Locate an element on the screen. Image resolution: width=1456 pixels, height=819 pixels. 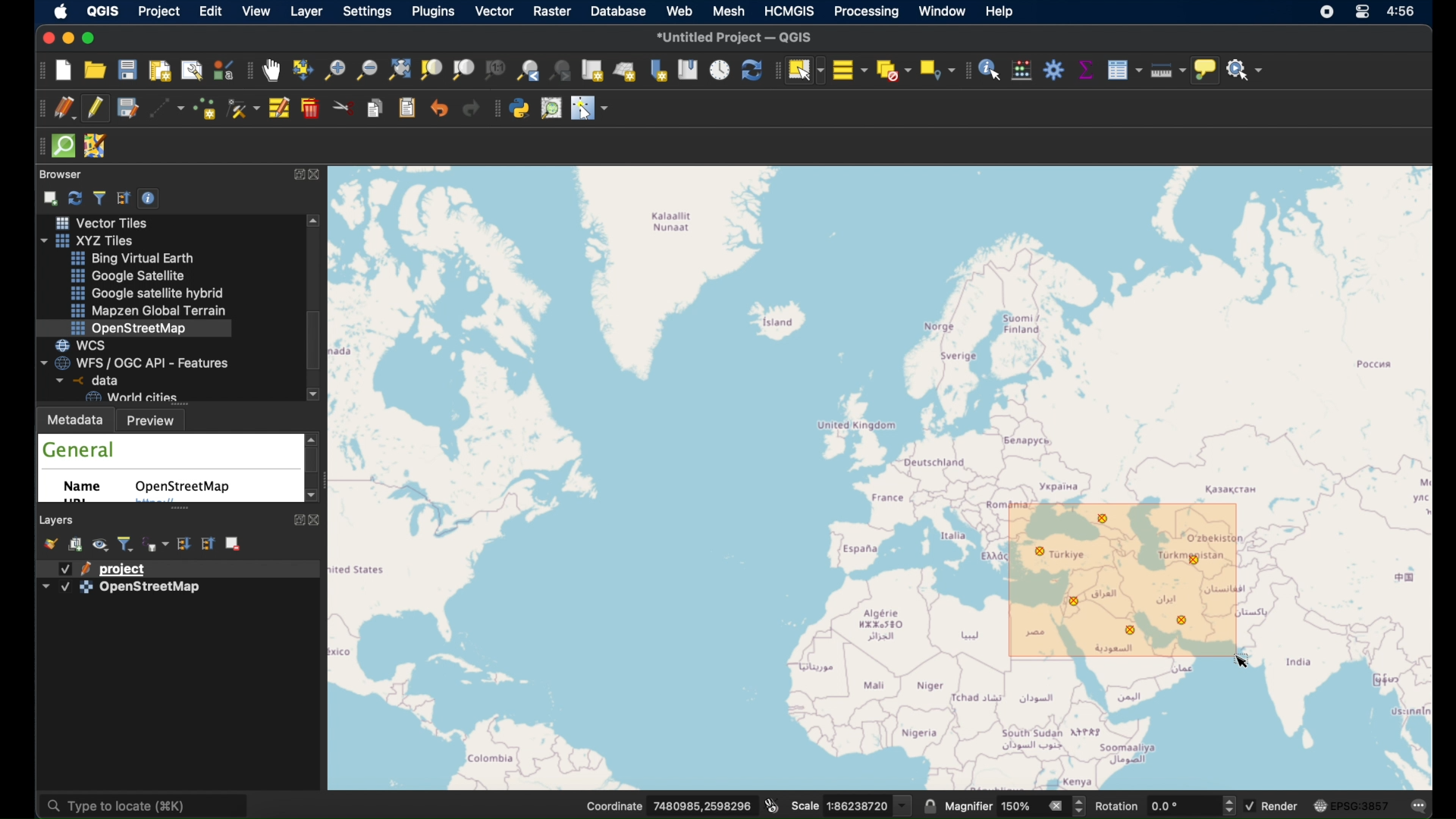
digitize with segment is located at coordinates (169, 110).